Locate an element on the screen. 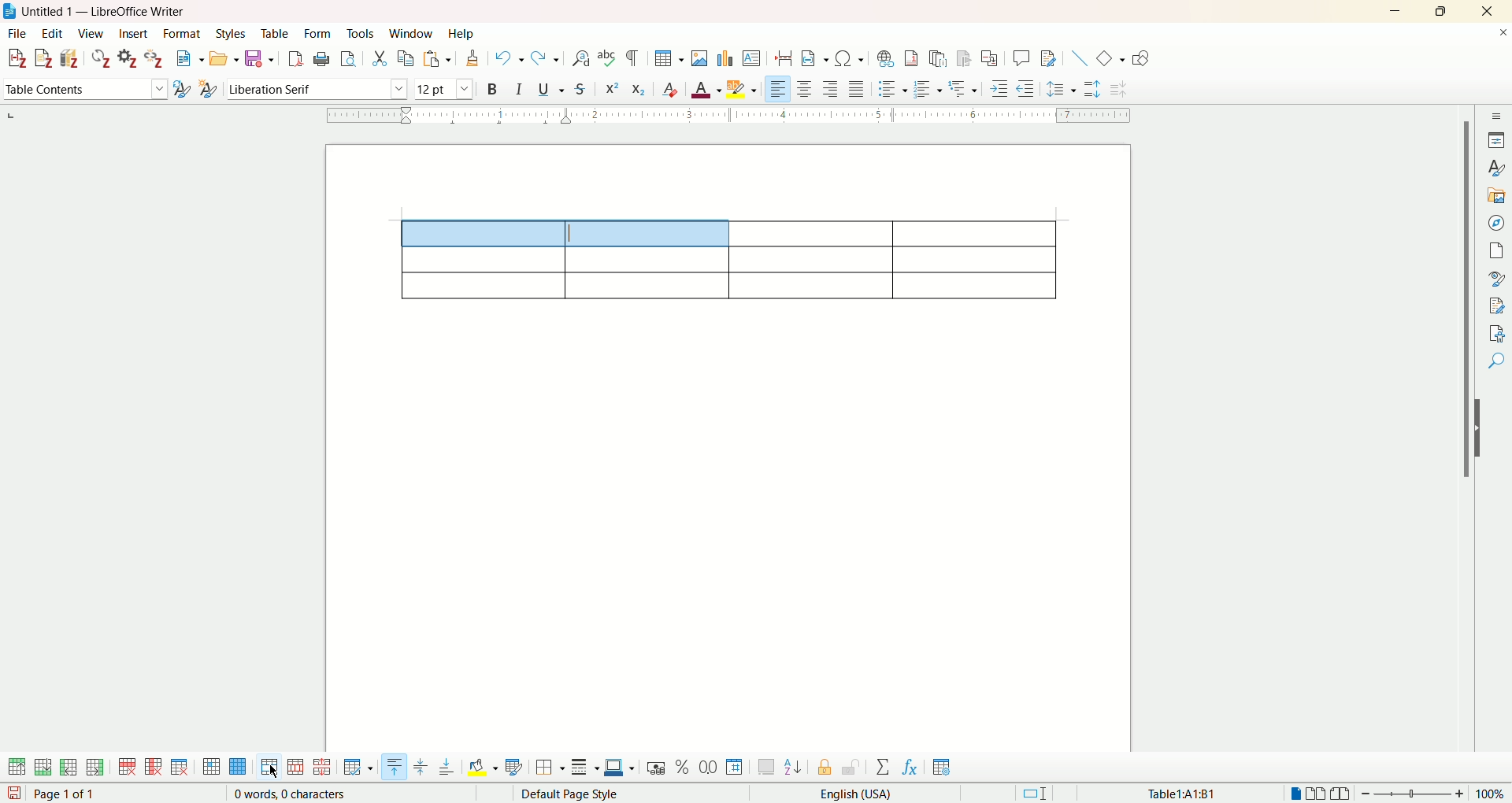 This screenshot has height=803, width=1512. maximize is located at coordinates (1441, 11).